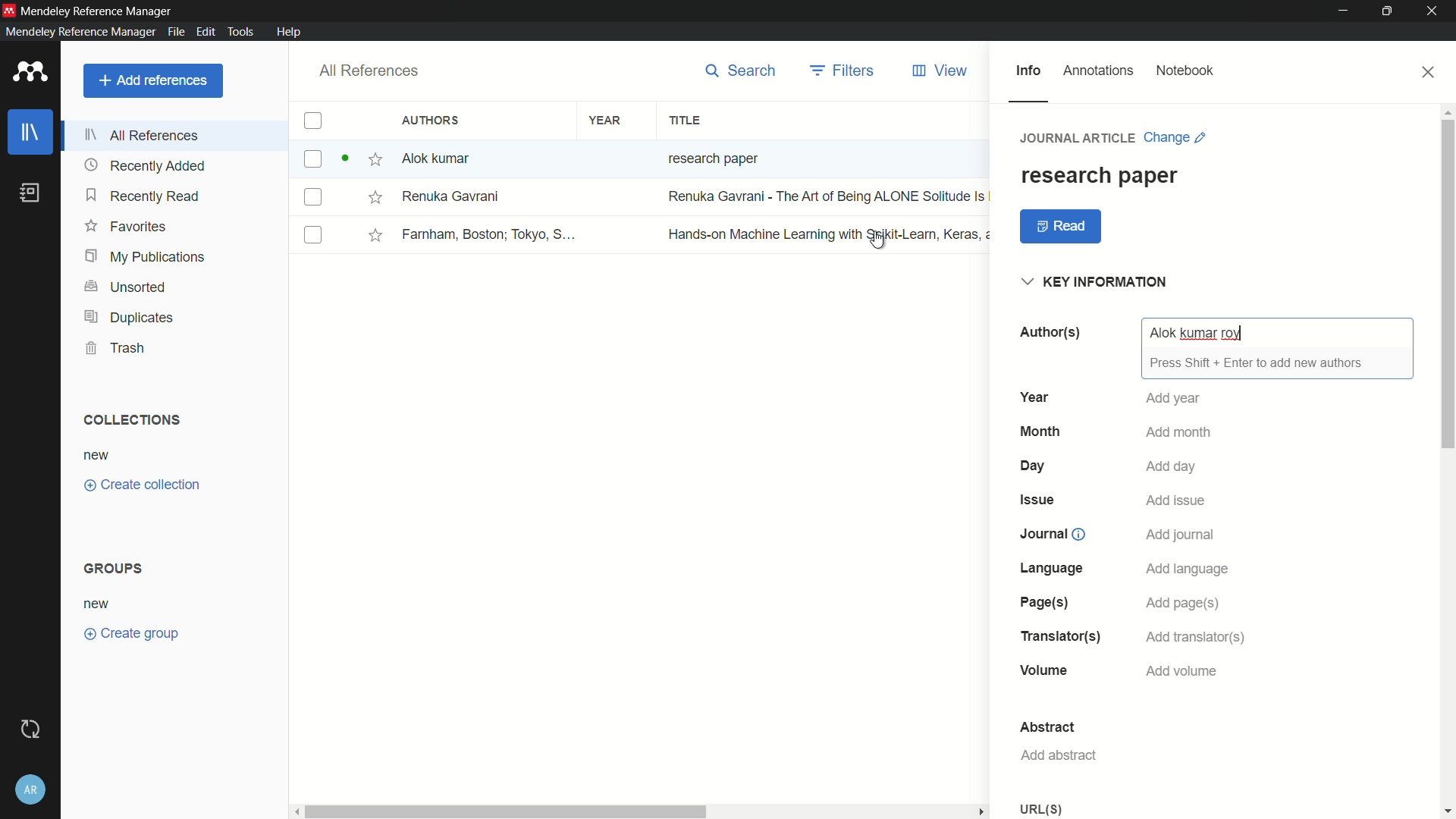 This screenshot has height=819, width=1456. What do you see at coordinates (1044, 670) in the screenshot?
I see `volume` at bounding box center [1044, 670].